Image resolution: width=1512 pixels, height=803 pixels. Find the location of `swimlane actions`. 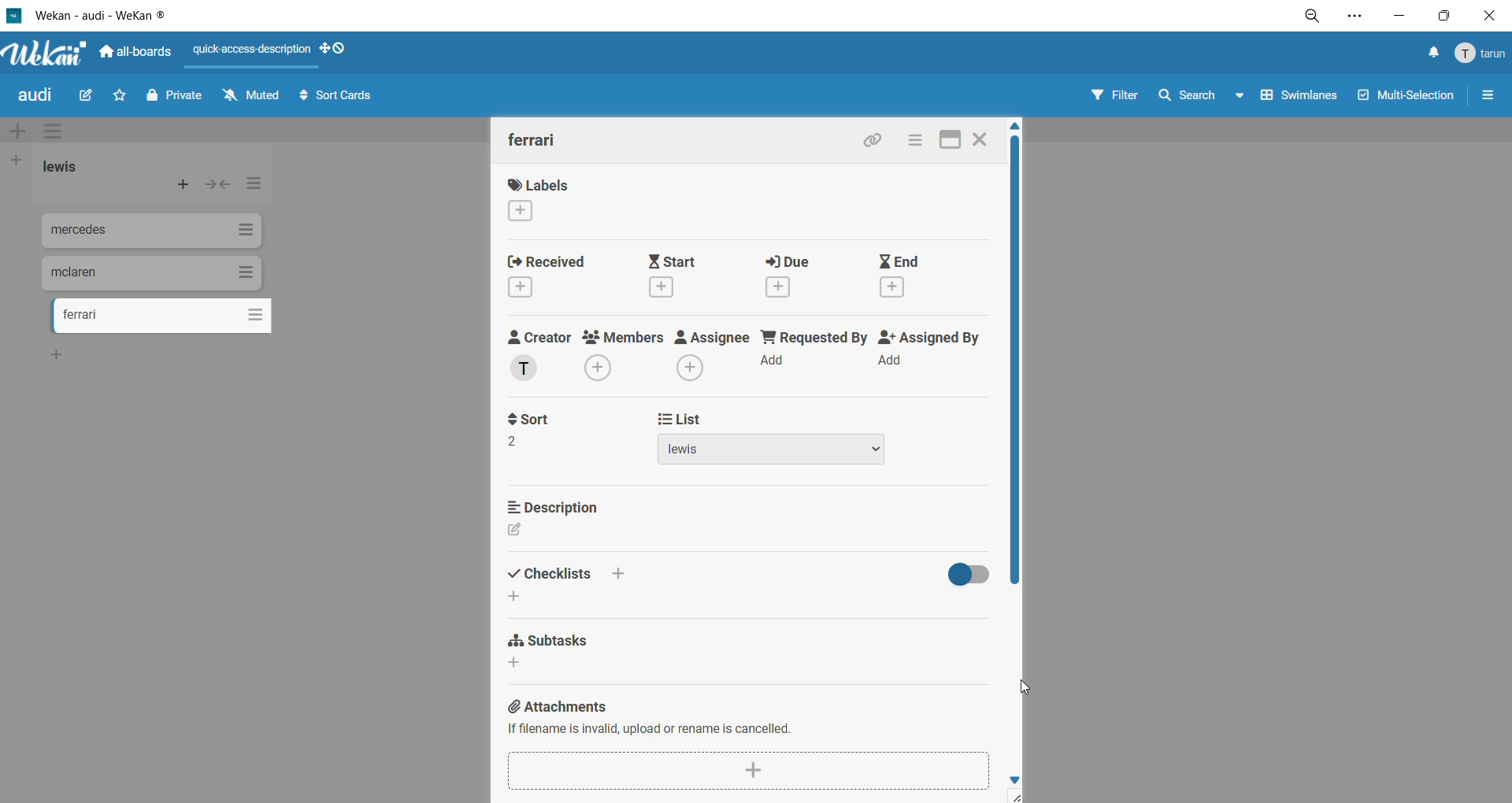

swimlane actions is located at coordinates (57, 132).